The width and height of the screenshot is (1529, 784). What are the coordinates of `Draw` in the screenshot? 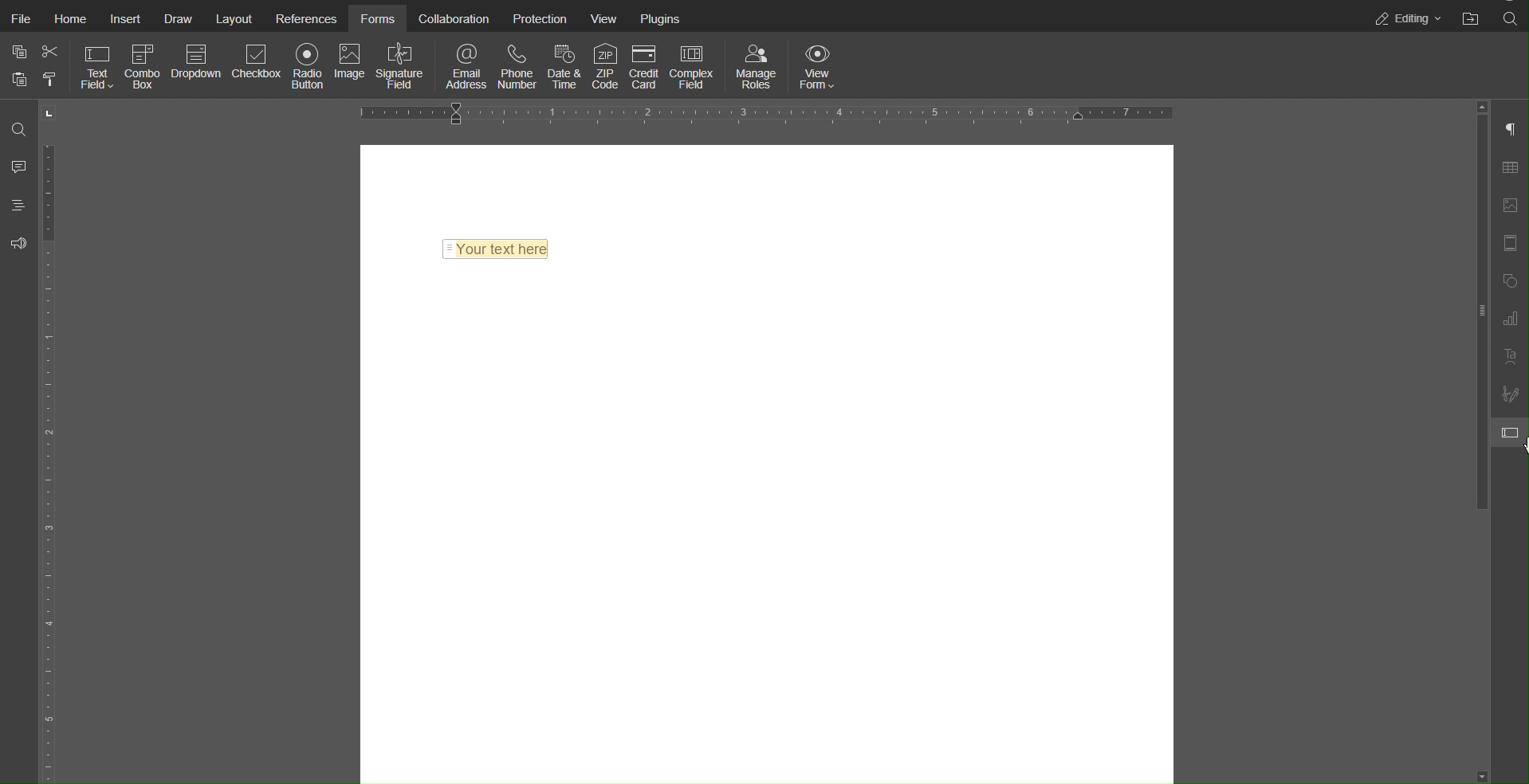 It's located at (176, 20).